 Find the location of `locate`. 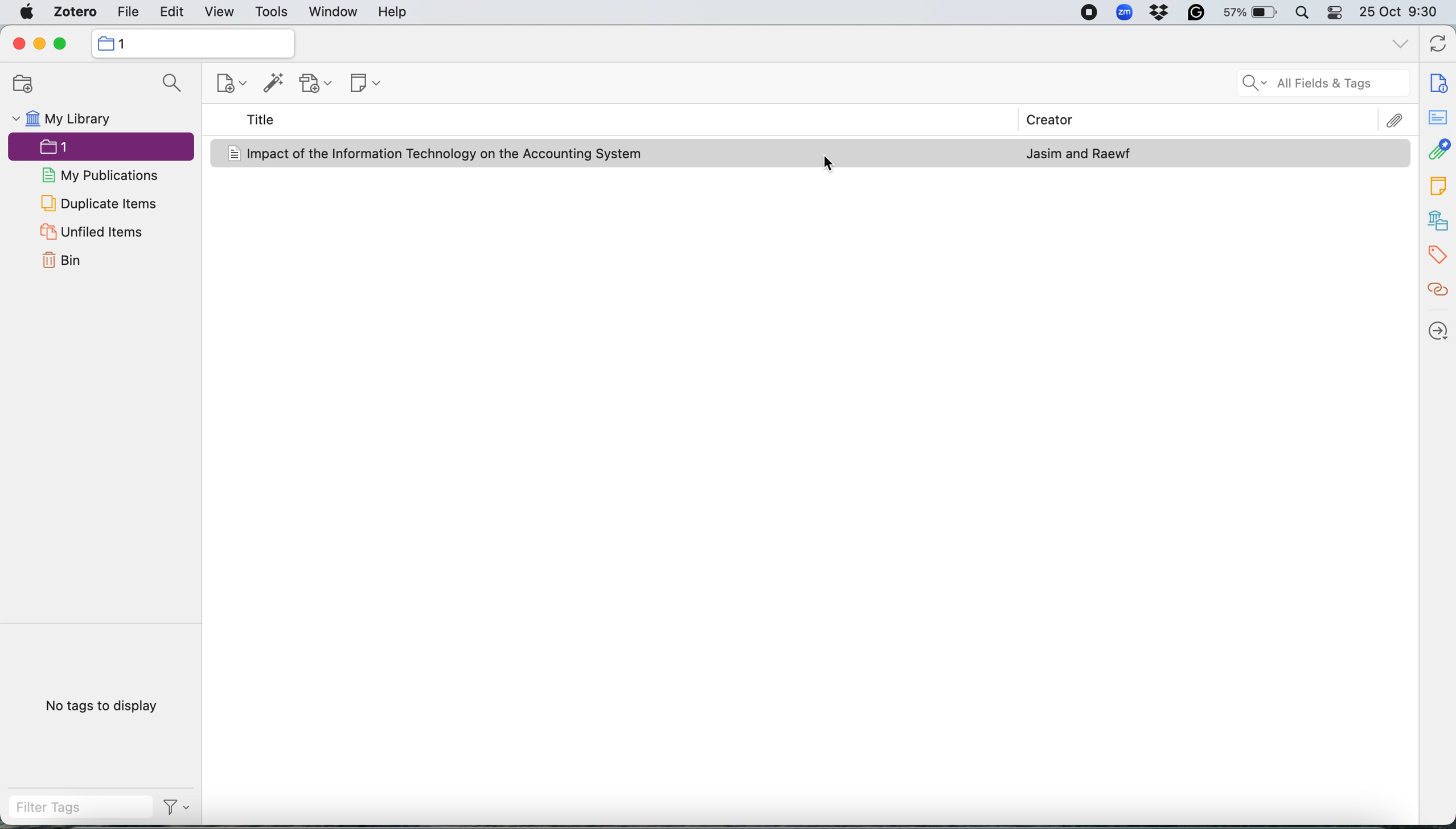

locate is located at coordinates (1437, 329).